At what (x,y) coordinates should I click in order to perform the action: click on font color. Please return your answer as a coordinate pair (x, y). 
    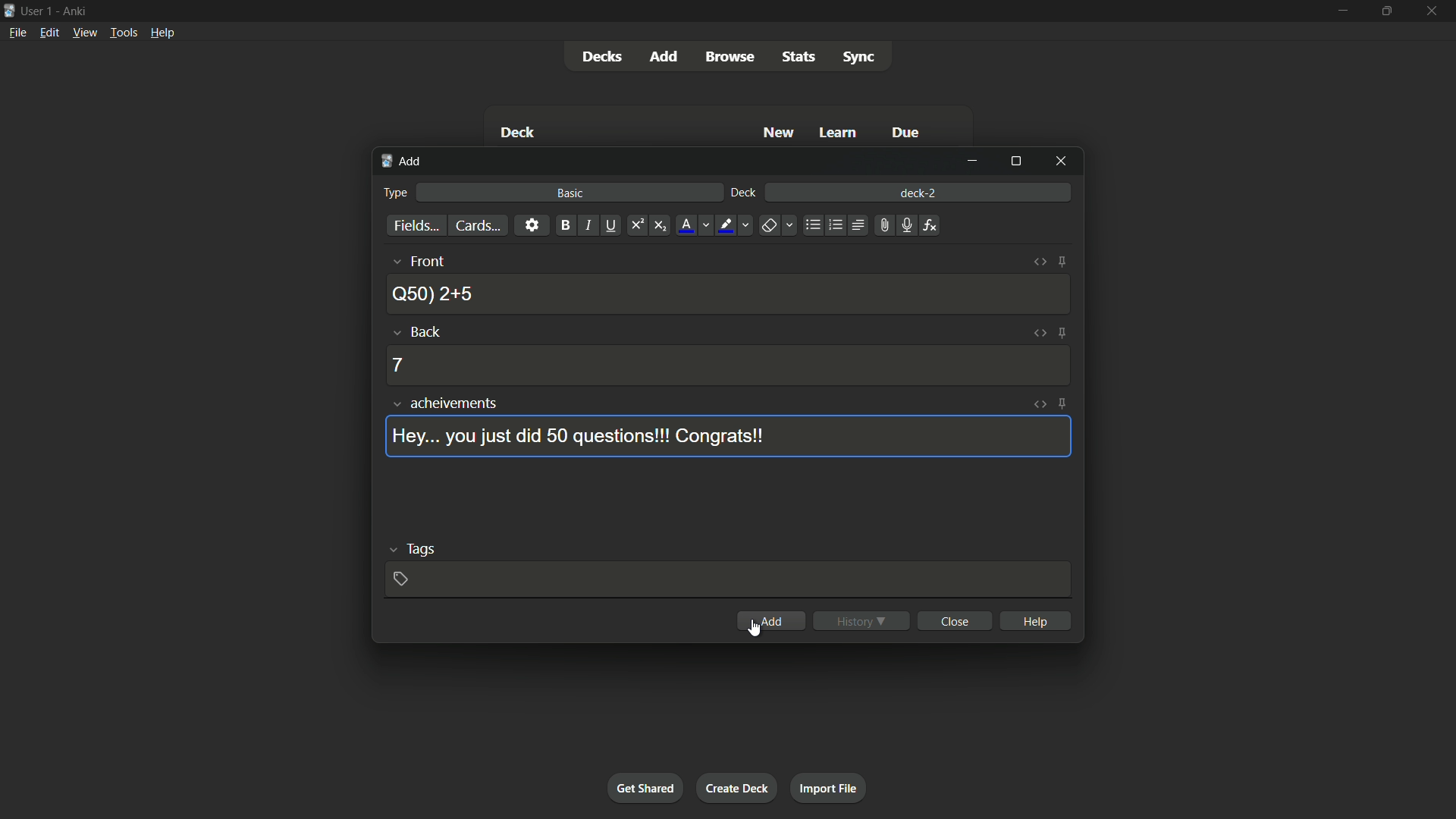
    Looking at the image, I should click on (695, 226).